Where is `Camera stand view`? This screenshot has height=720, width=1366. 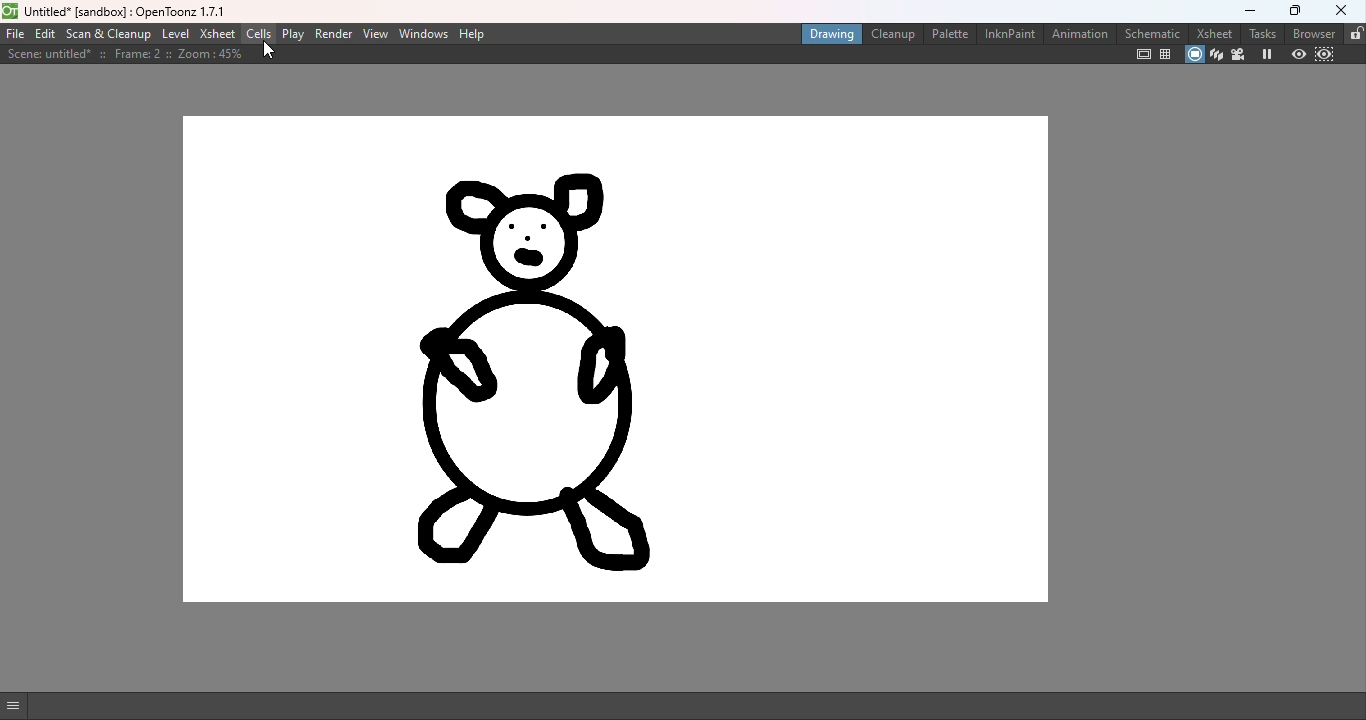 Camera stand view is located at coordinates (1192, 54).